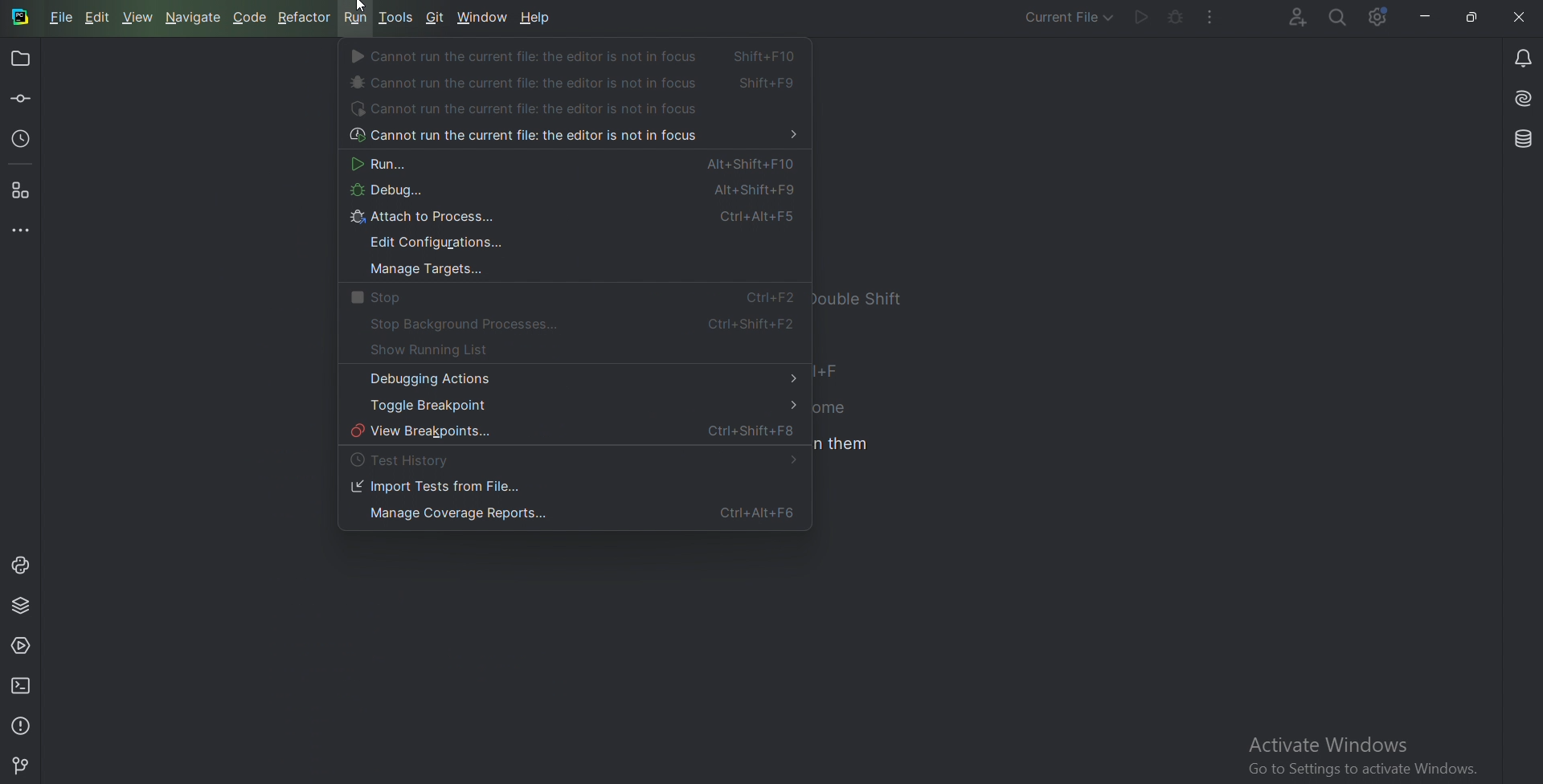 This screenshot has width=1543, height=784. Describe the element at coordinates (22, 100) in the screenshot. I see `Commit` at that location.